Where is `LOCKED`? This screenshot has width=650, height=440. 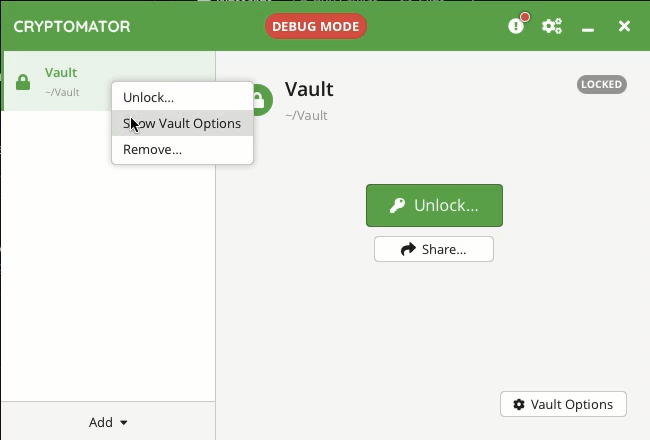
LOCKED is located at coordinates (603, 84).